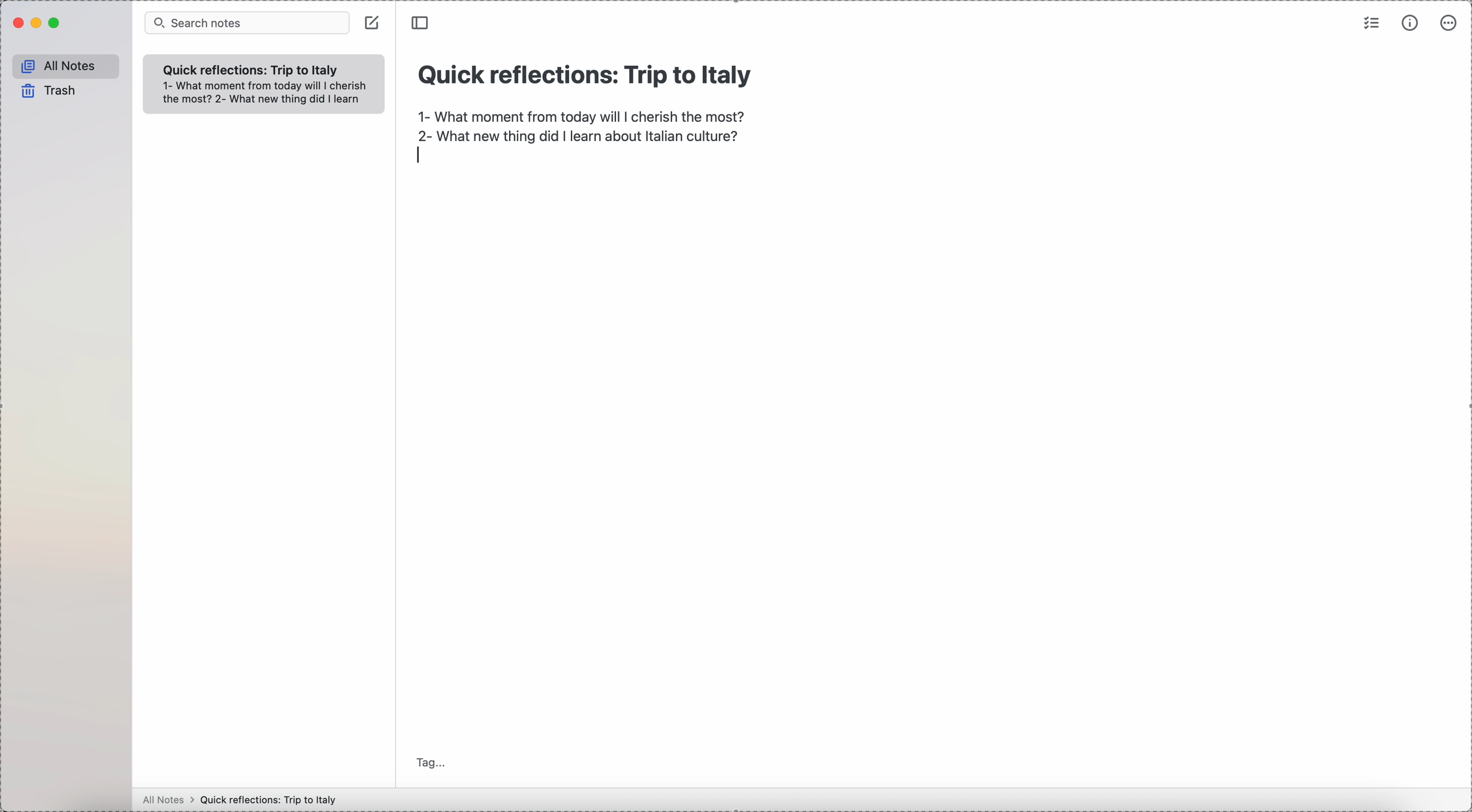 The width and height of the screenshot is (1472, 812). What do you see at coordinates (38, 24) in the screenshot?
I see `minimize` at bounding box center [38, 24].